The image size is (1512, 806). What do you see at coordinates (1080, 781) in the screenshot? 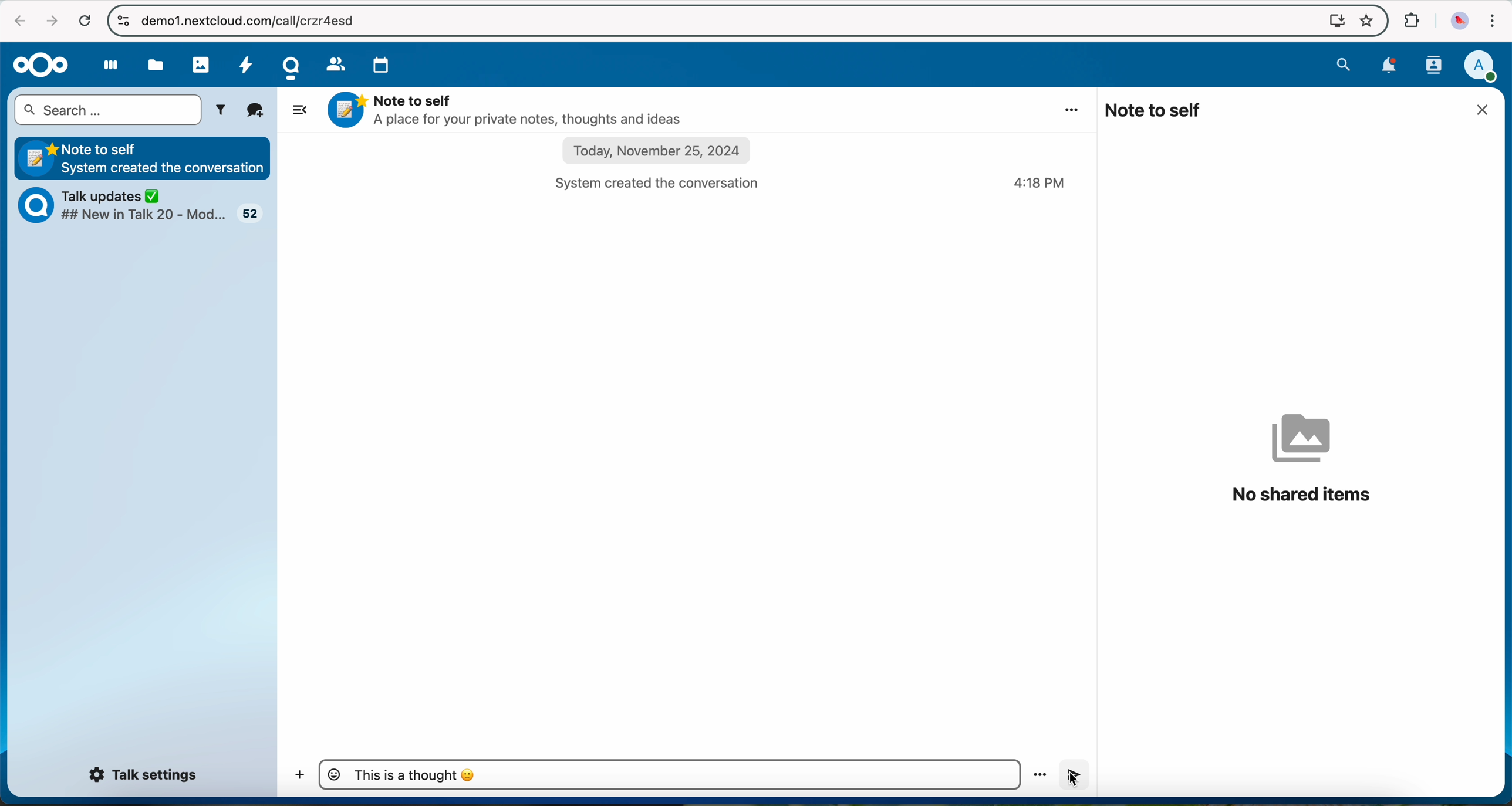
I see `cursor` at bounding box center [1080, 781].